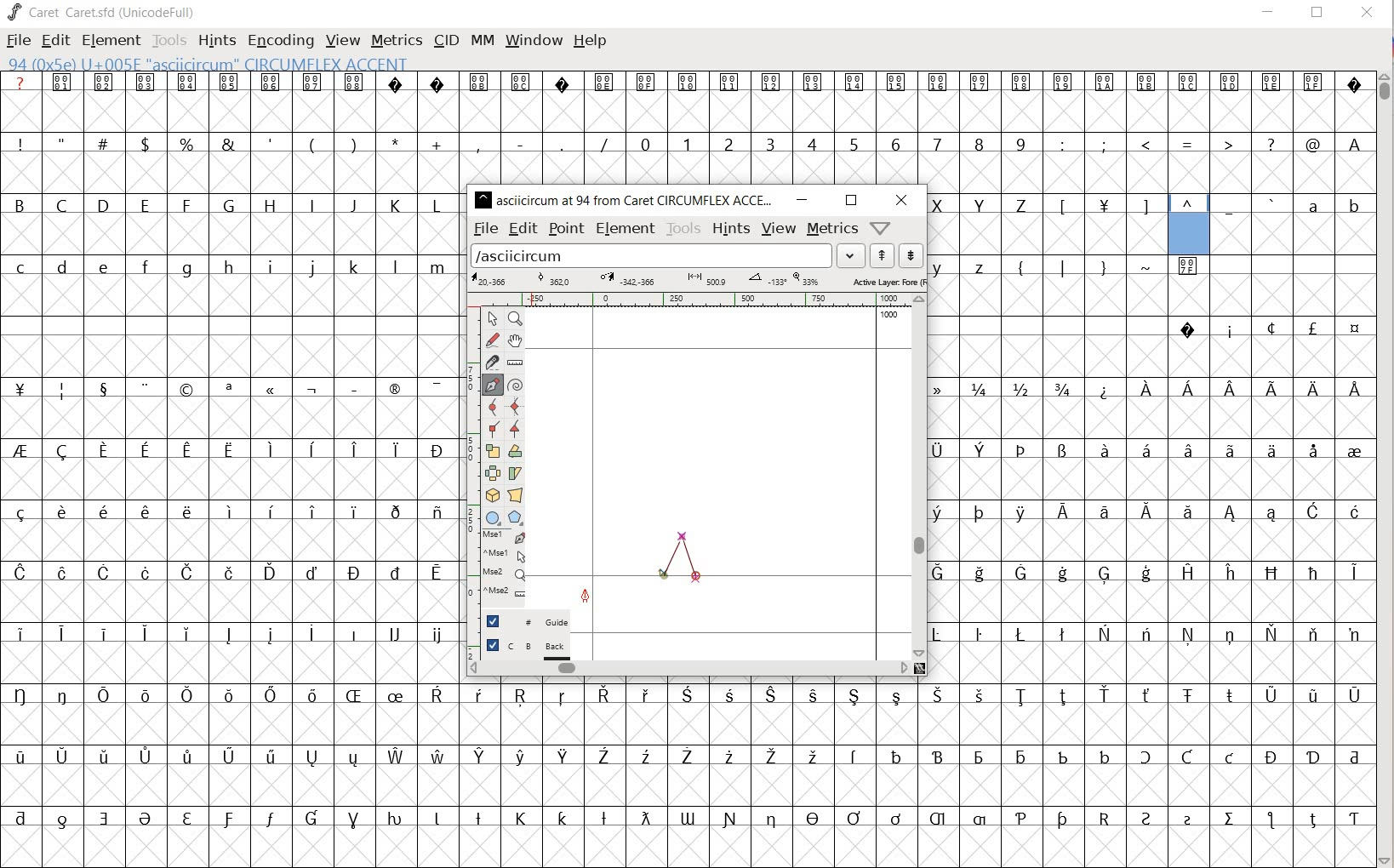 This screenshot has width=1394, height=868. What do you see at coordinates (910, 254) in the screenshot?
I see `show the previous word on the list` at bounding box center [910, 254].